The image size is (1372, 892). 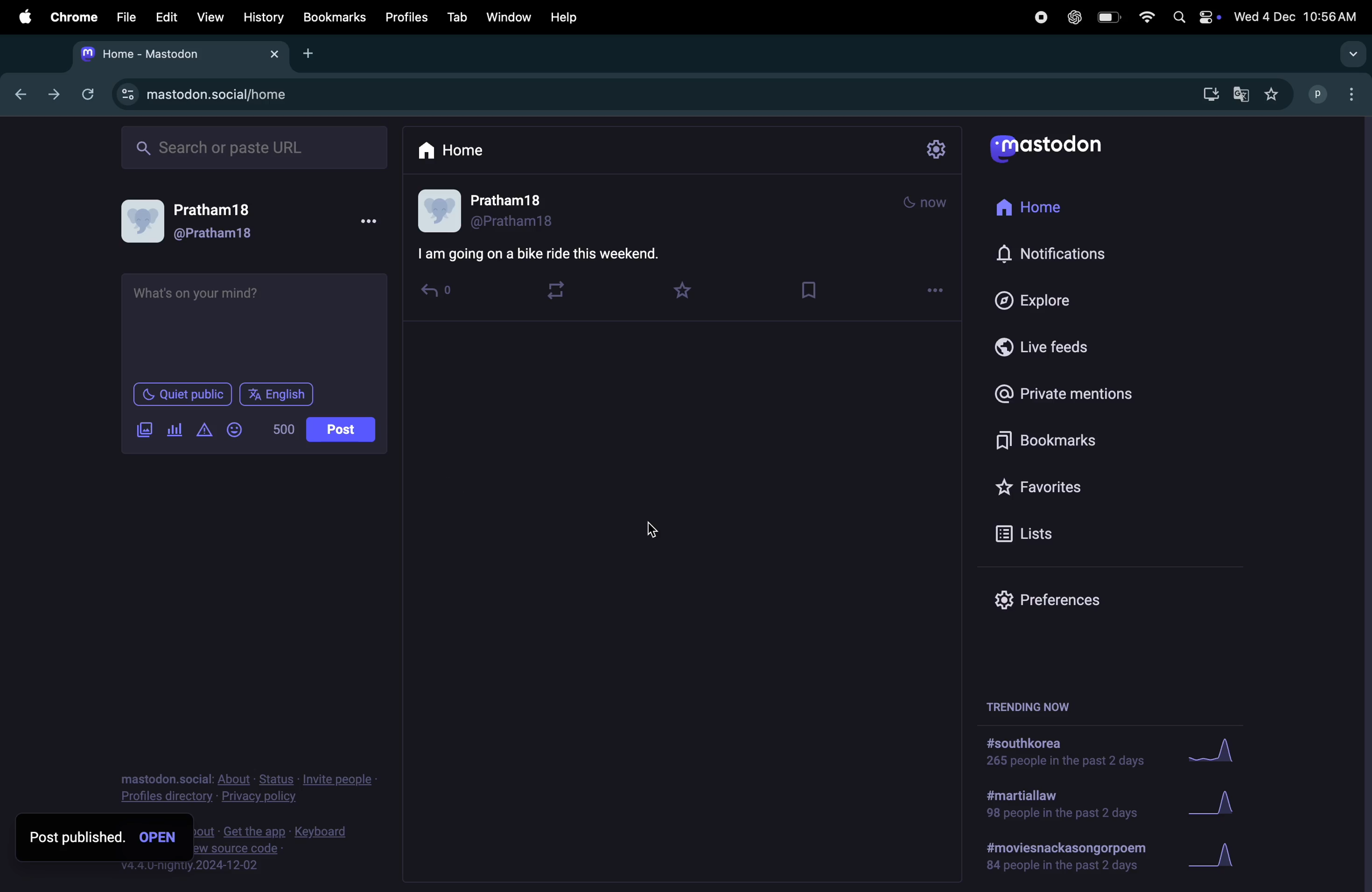 What do you see at coordinates (284, 430) in the screenshot?
I see `500 words` at bounding box center [284, 430].